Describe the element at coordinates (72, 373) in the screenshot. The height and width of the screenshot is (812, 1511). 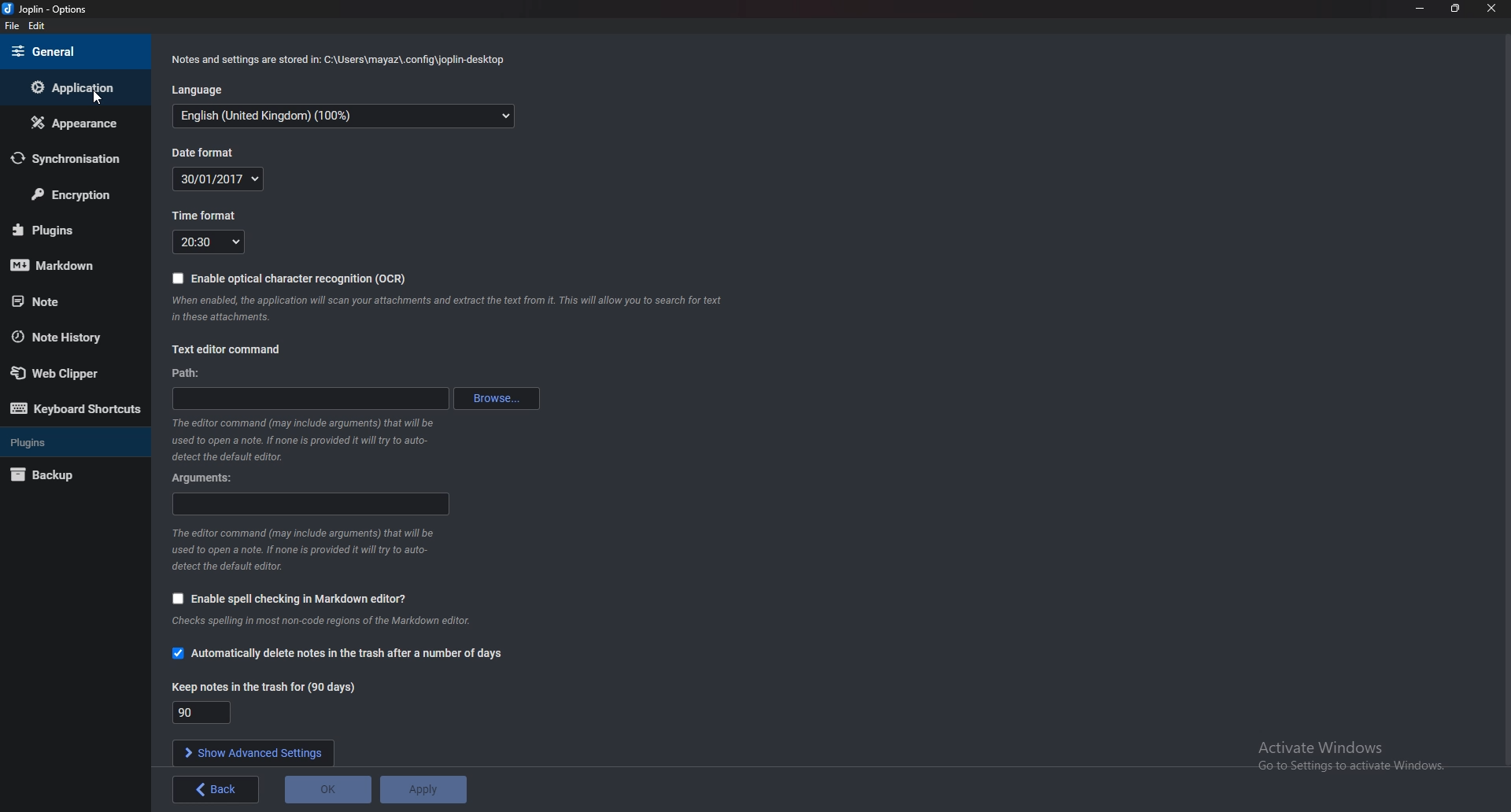
I see `Web Clipper` at that location.